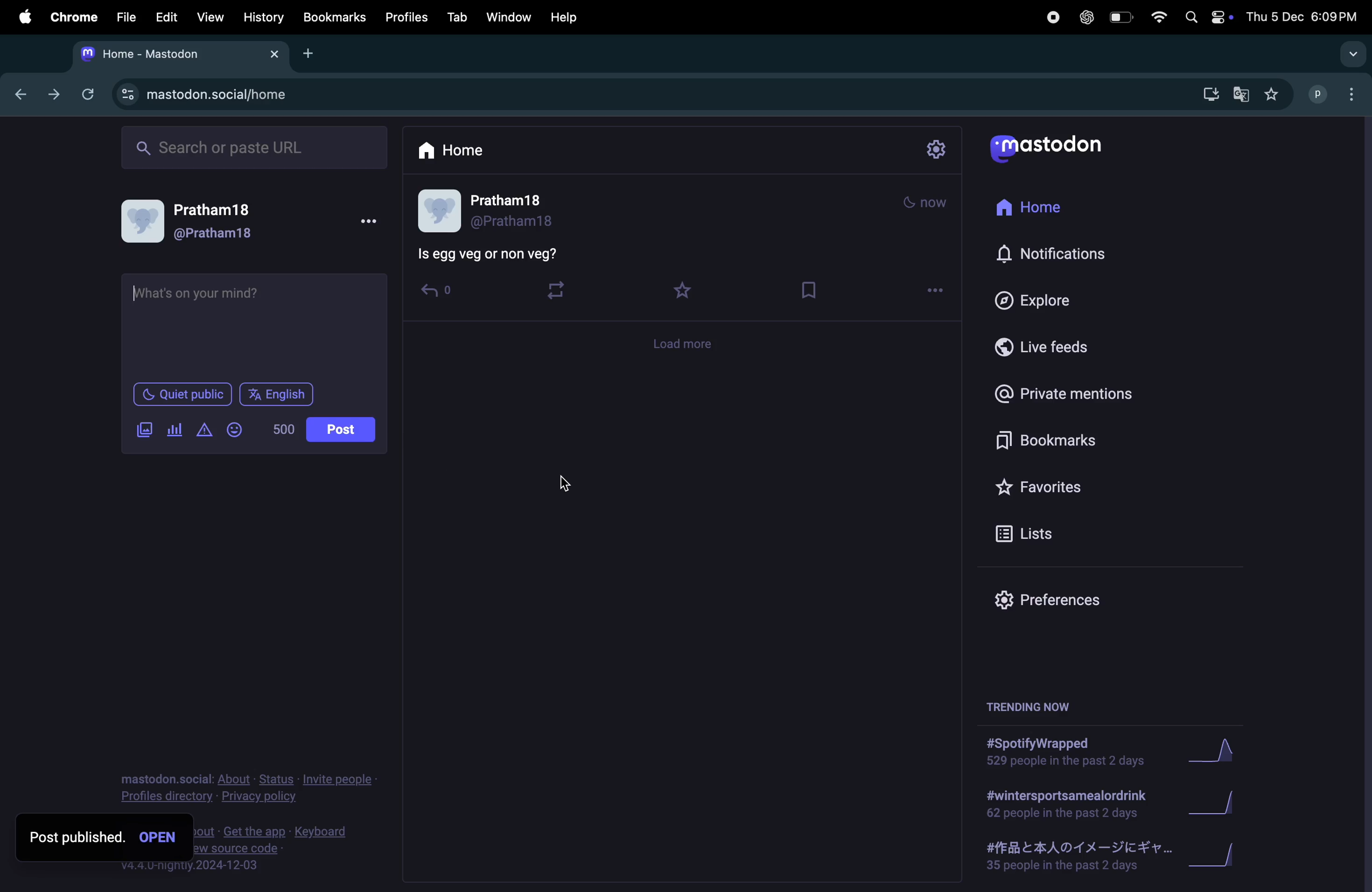 This screenshot has height=892, width=1372. What do you see at coordinates (568, 17) in the screenshot?
I see `help` at bounding box center [568, 17].